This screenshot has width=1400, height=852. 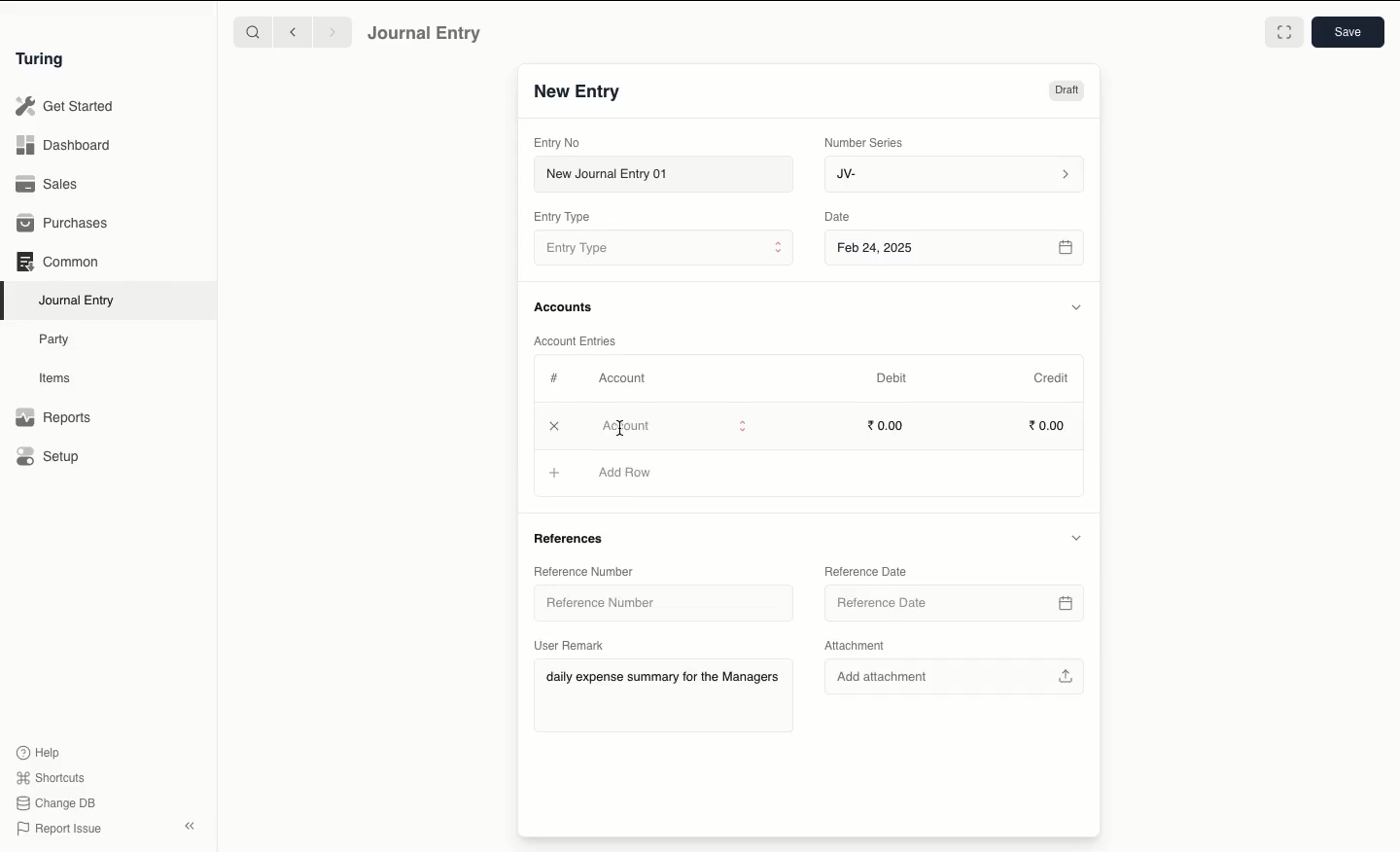 I want to click on Reference Number, so click(x=656, y=603).